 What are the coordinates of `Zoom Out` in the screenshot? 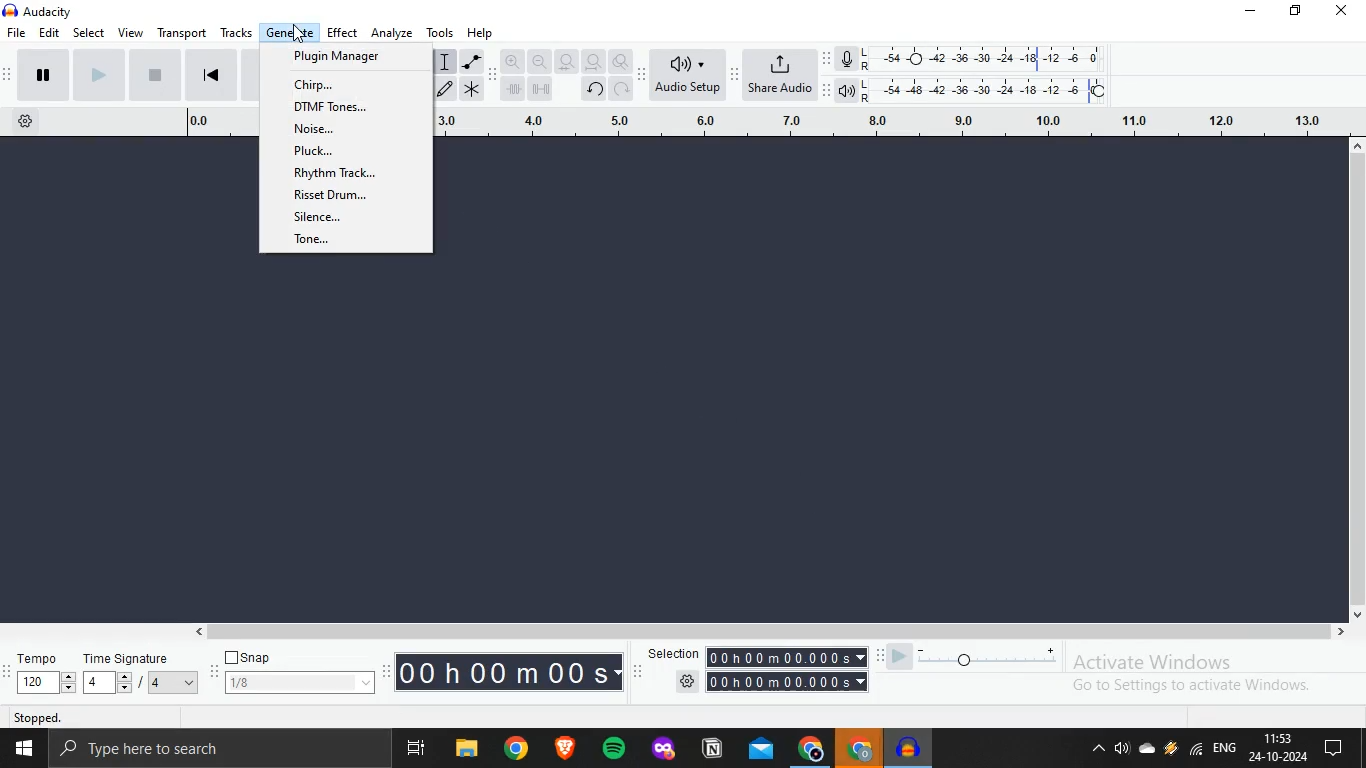 It's located at (539, 63).